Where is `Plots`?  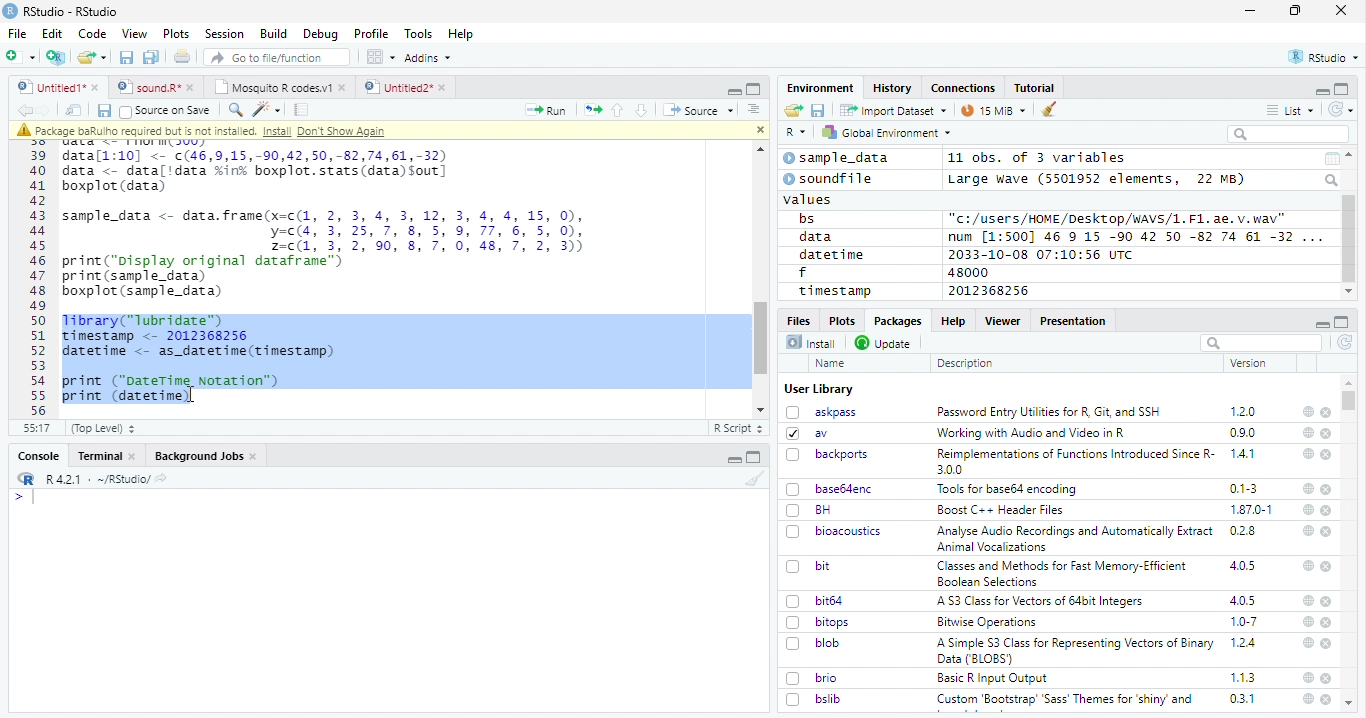
Plots is located at coordinates (841, 320).